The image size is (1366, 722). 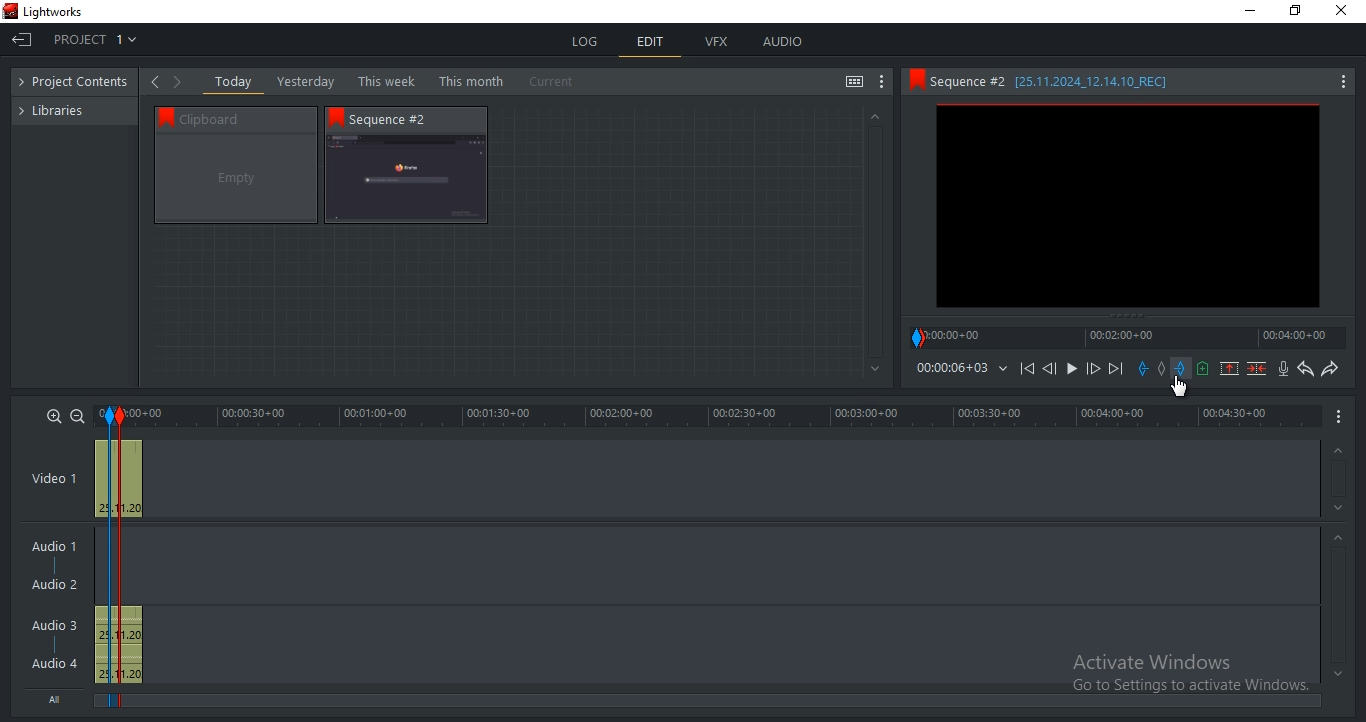 What do you see at coordinates (1115, 369) in the screenshot?
I see `Move forward` at bounding box center [1115, 369].